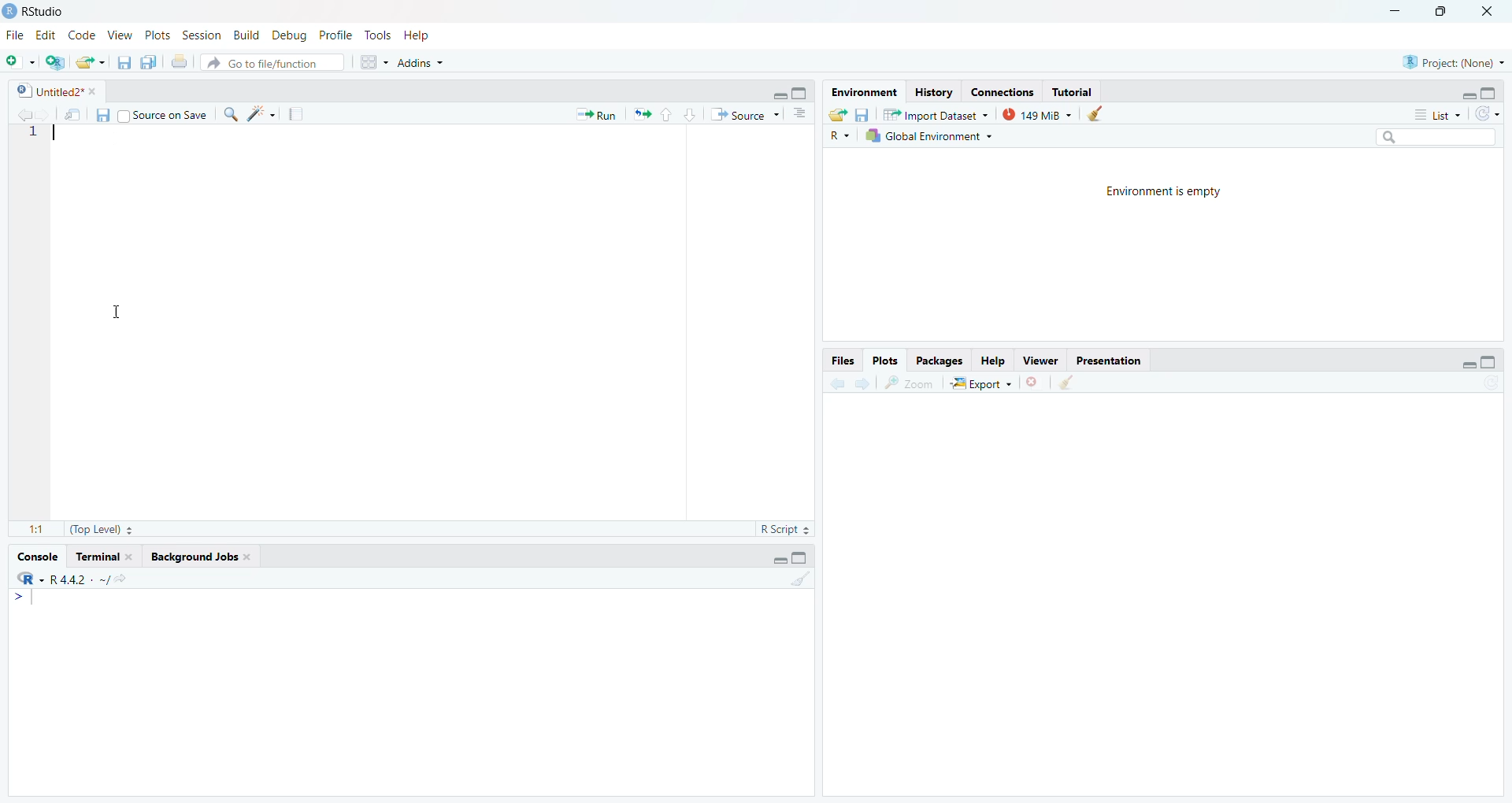 This screenshot has width=1512, height=803. What do you see at coordinates (803, 557) in the screenshot?
I see `Maximize` at bounding box center [803, 557].